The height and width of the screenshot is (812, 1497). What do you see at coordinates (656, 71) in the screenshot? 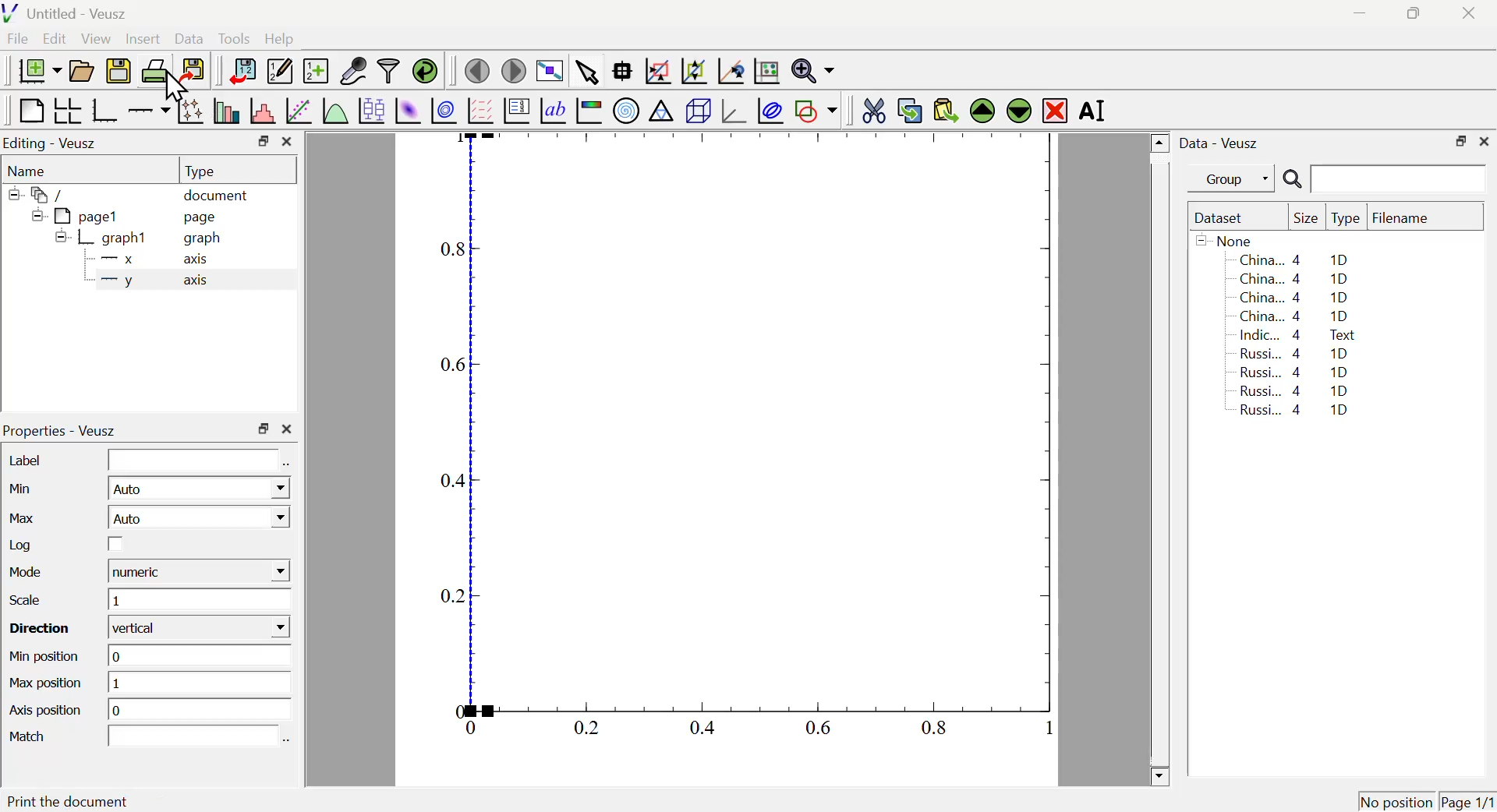
I see `Draw rectangle to zoom graph axis` at bounding box center [656, 71].